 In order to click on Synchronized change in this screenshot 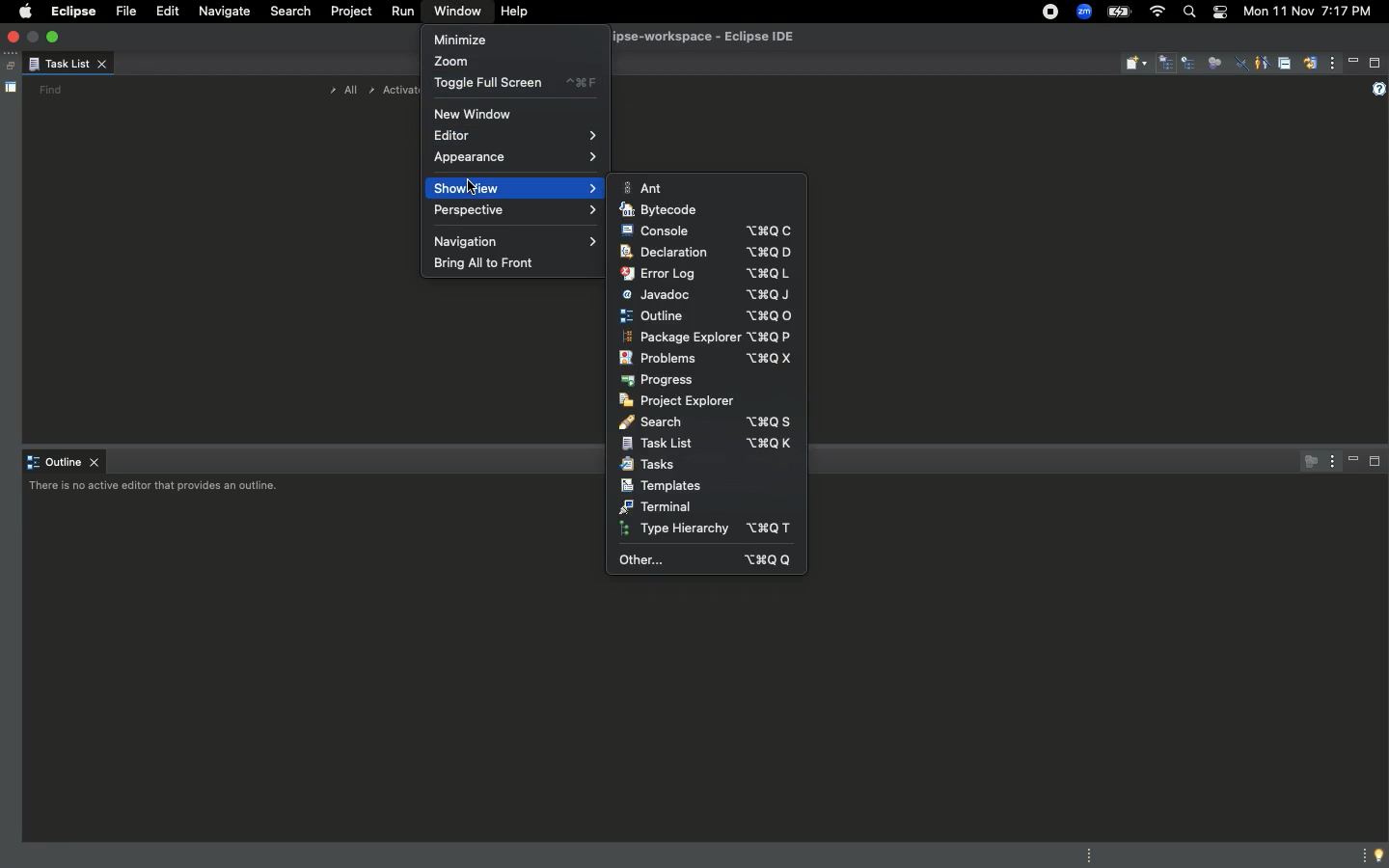, I will do `click(1310, 68)`.